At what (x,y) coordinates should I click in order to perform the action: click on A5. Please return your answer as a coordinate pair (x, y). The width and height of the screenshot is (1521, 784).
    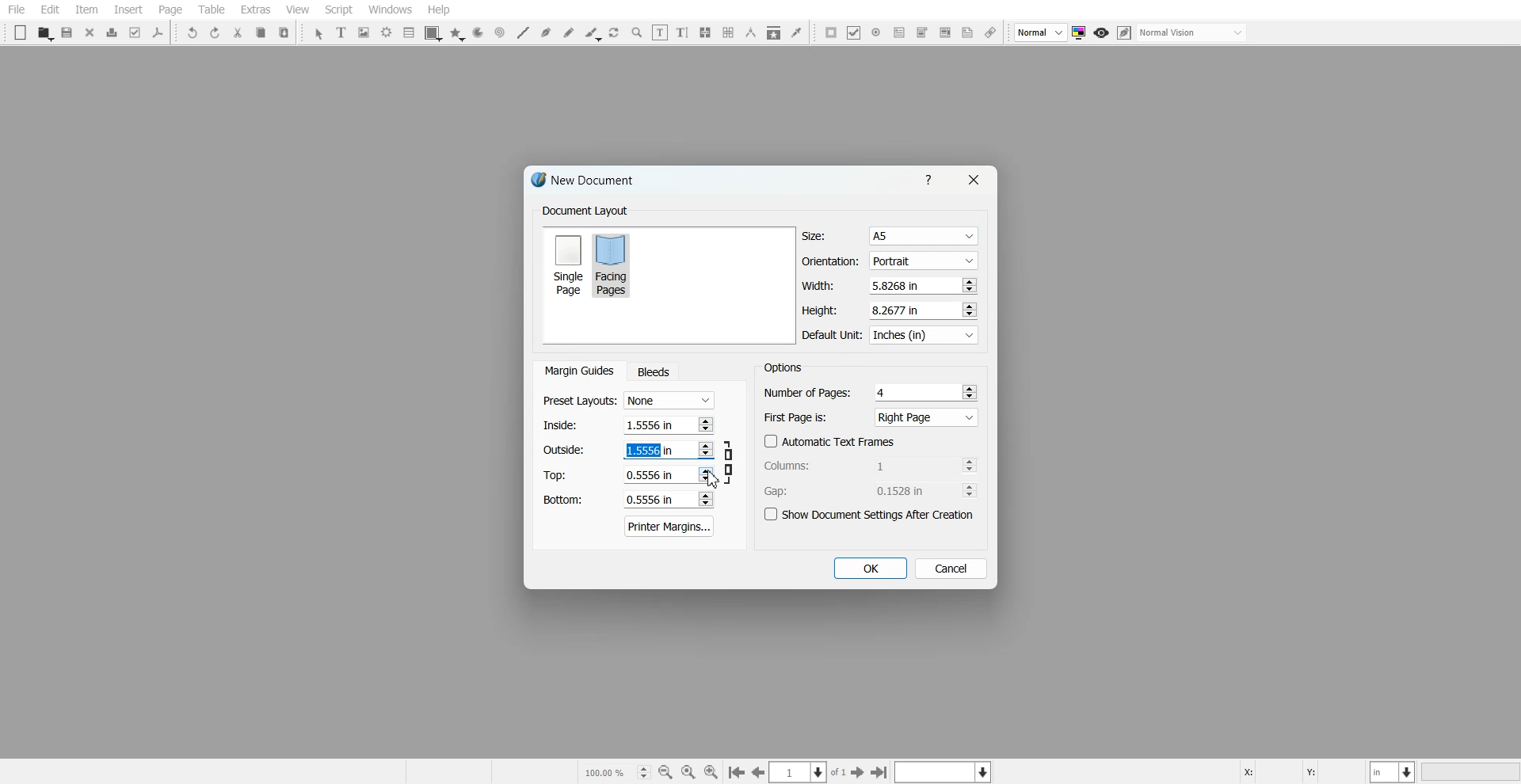
    Looking at the image, I should click on (922, 237).